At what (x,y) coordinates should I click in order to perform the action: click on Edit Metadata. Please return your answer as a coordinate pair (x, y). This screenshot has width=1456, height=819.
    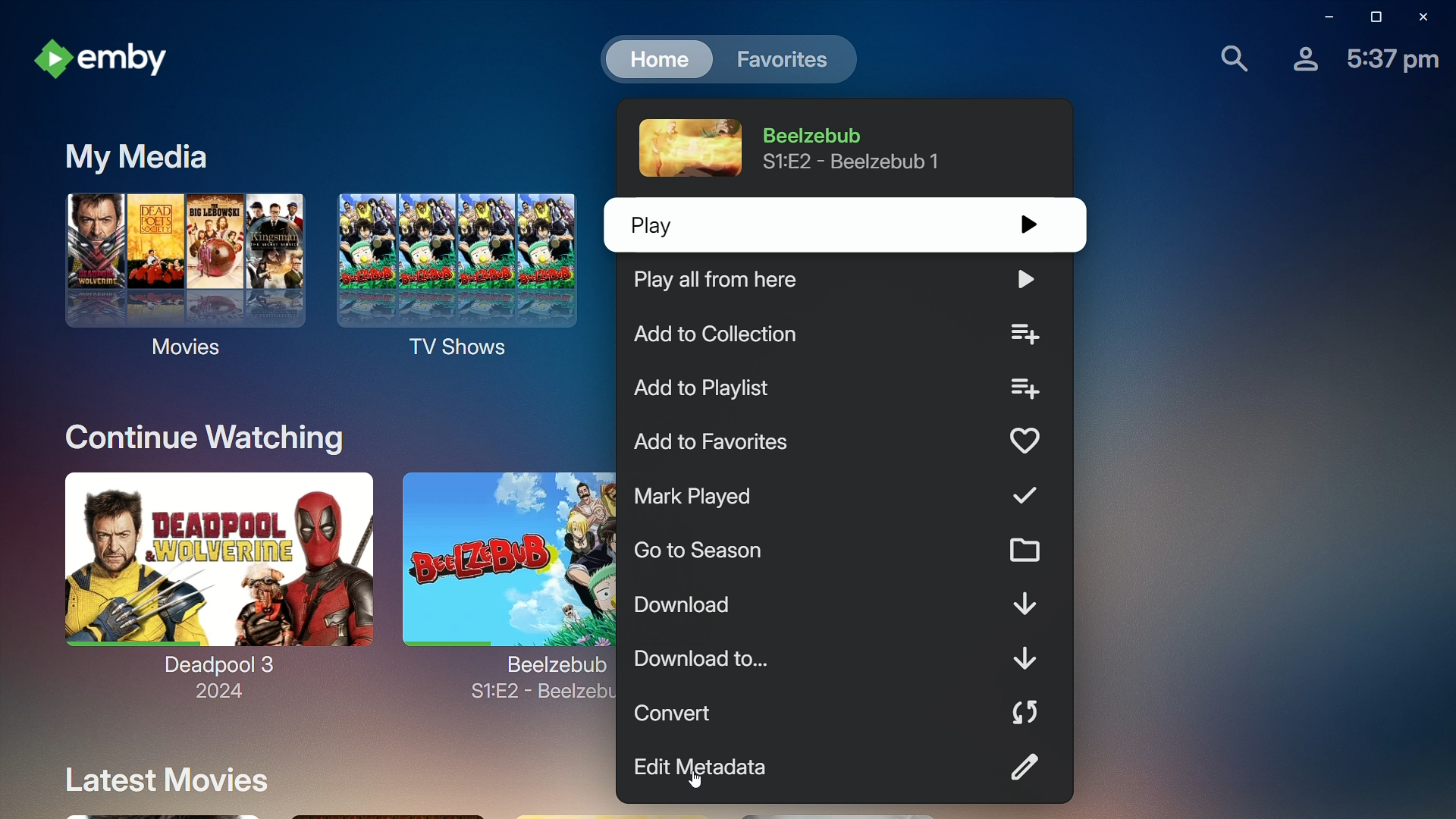
    Looking at the image, I should click on (846, 768).